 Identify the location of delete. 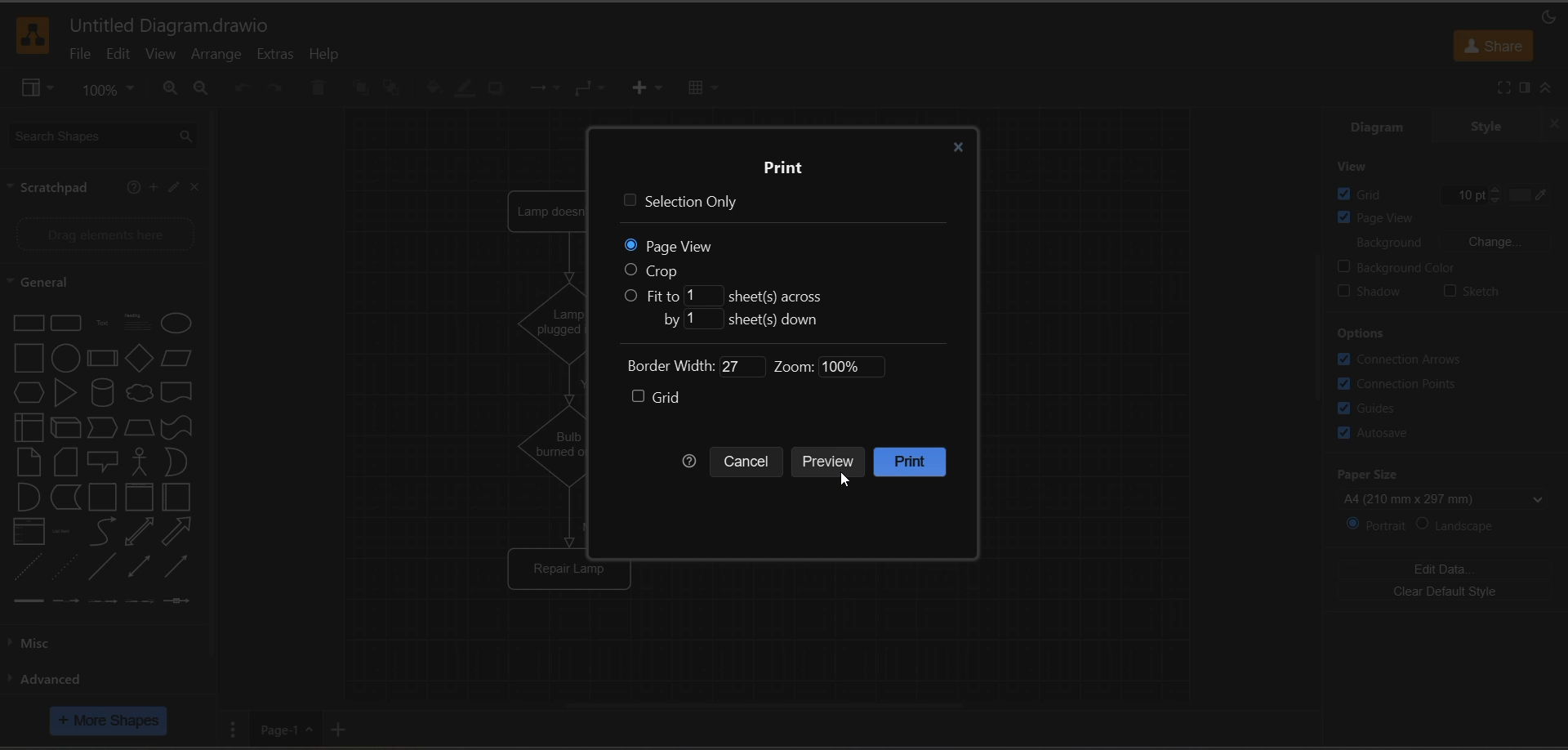
(322, 87).